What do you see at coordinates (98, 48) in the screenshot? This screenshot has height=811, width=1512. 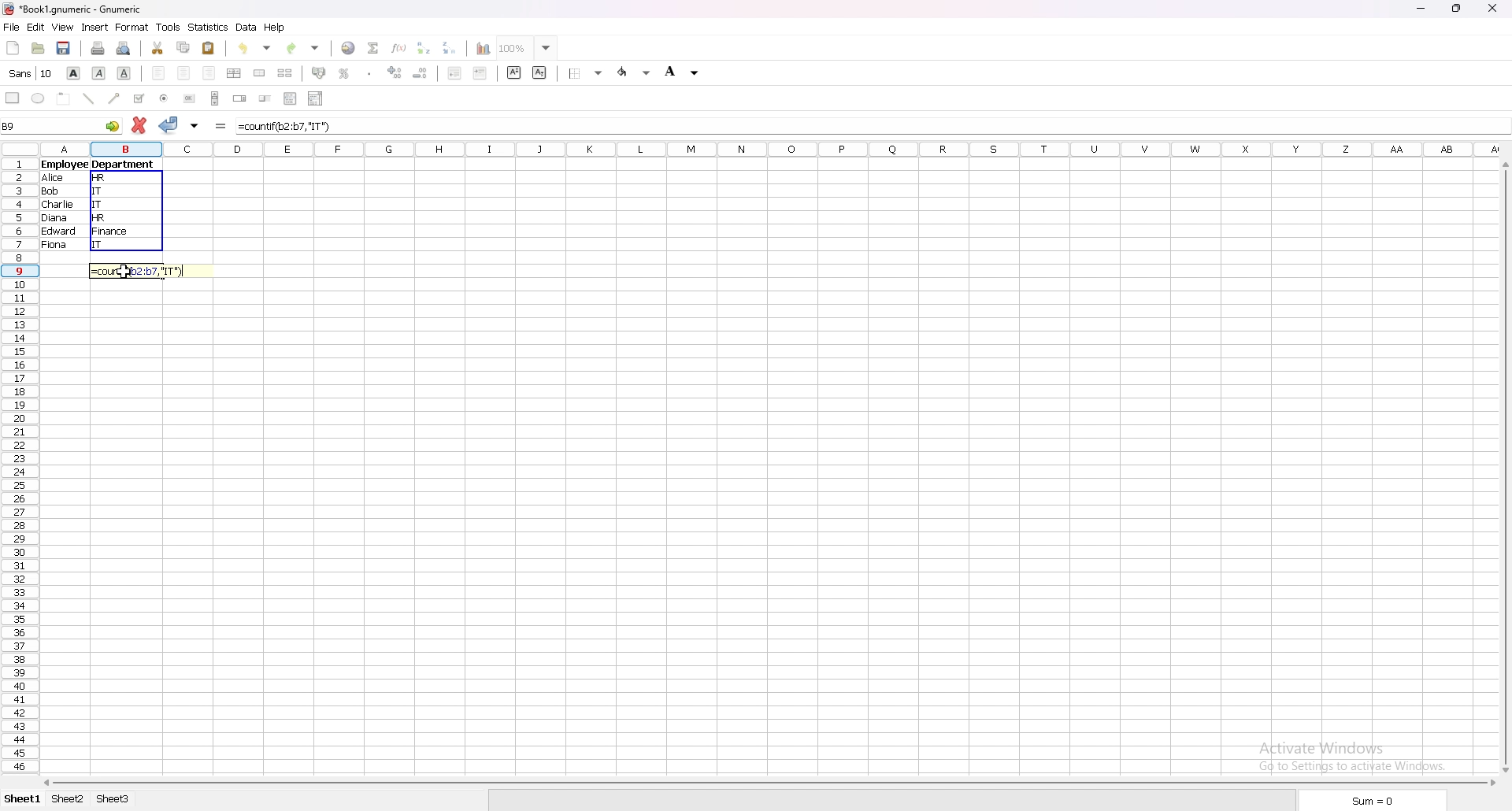 I see `print` at bounding box center [98, 48].